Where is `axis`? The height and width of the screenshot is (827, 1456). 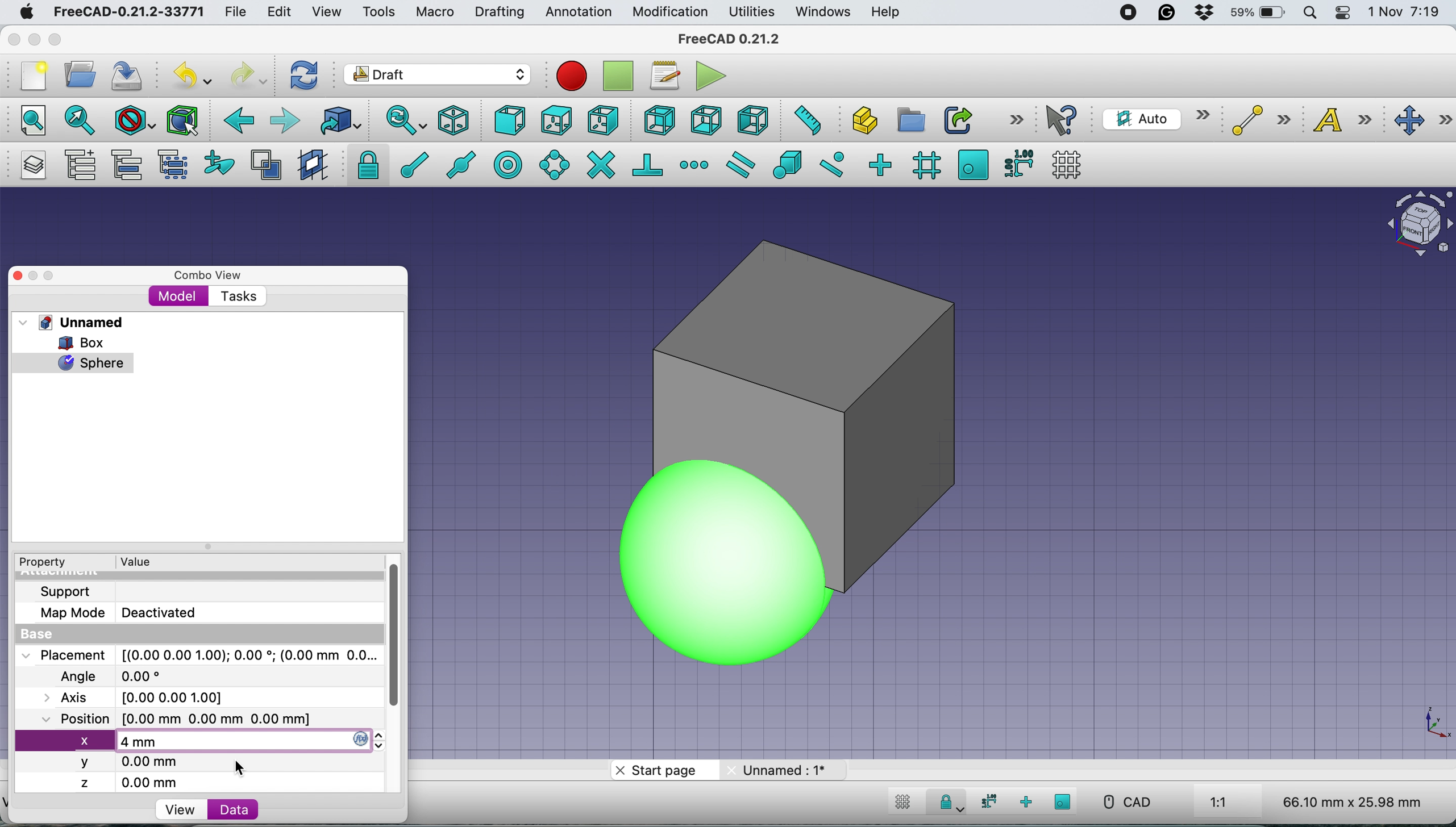
axis is located at coordinates (147, 697).